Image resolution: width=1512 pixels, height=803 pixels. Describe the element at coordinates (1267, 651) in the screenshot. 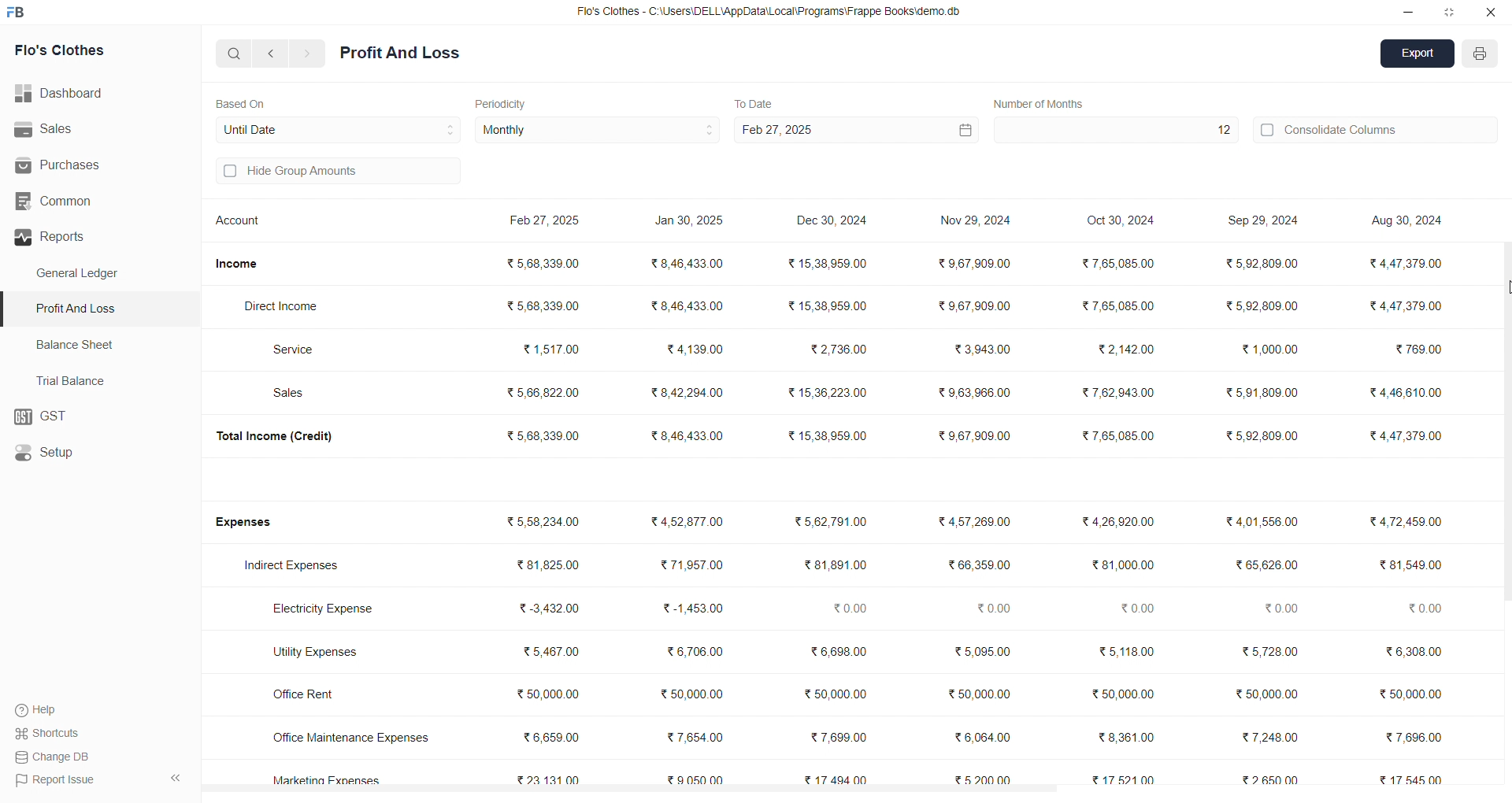

I see `₹ 5,728.00` at that location.